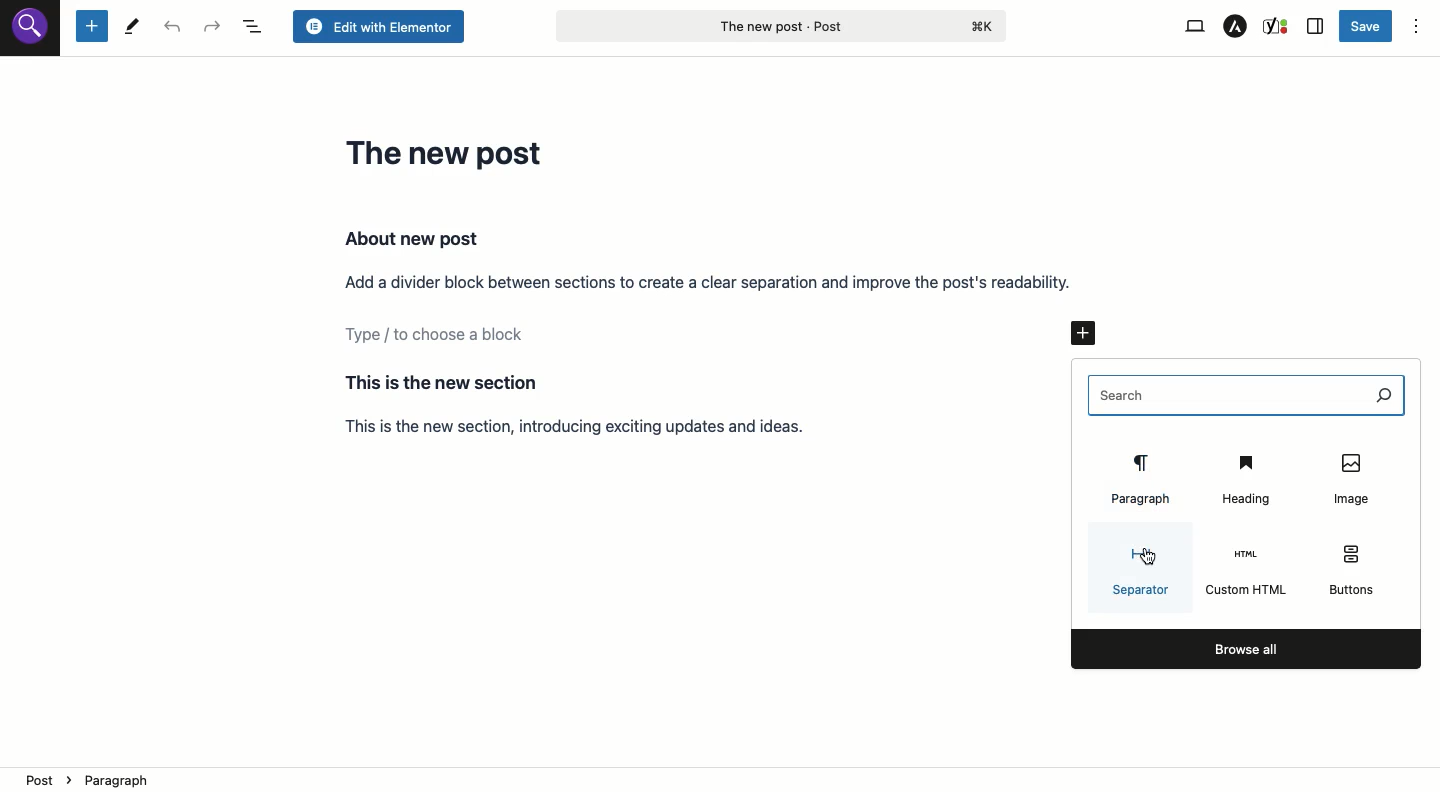 The height and width of the screenshot is (792, 1440). Describe the element at coordinates (700, 339) in the screenshot. I see `Hovering over choose a block` at that location.